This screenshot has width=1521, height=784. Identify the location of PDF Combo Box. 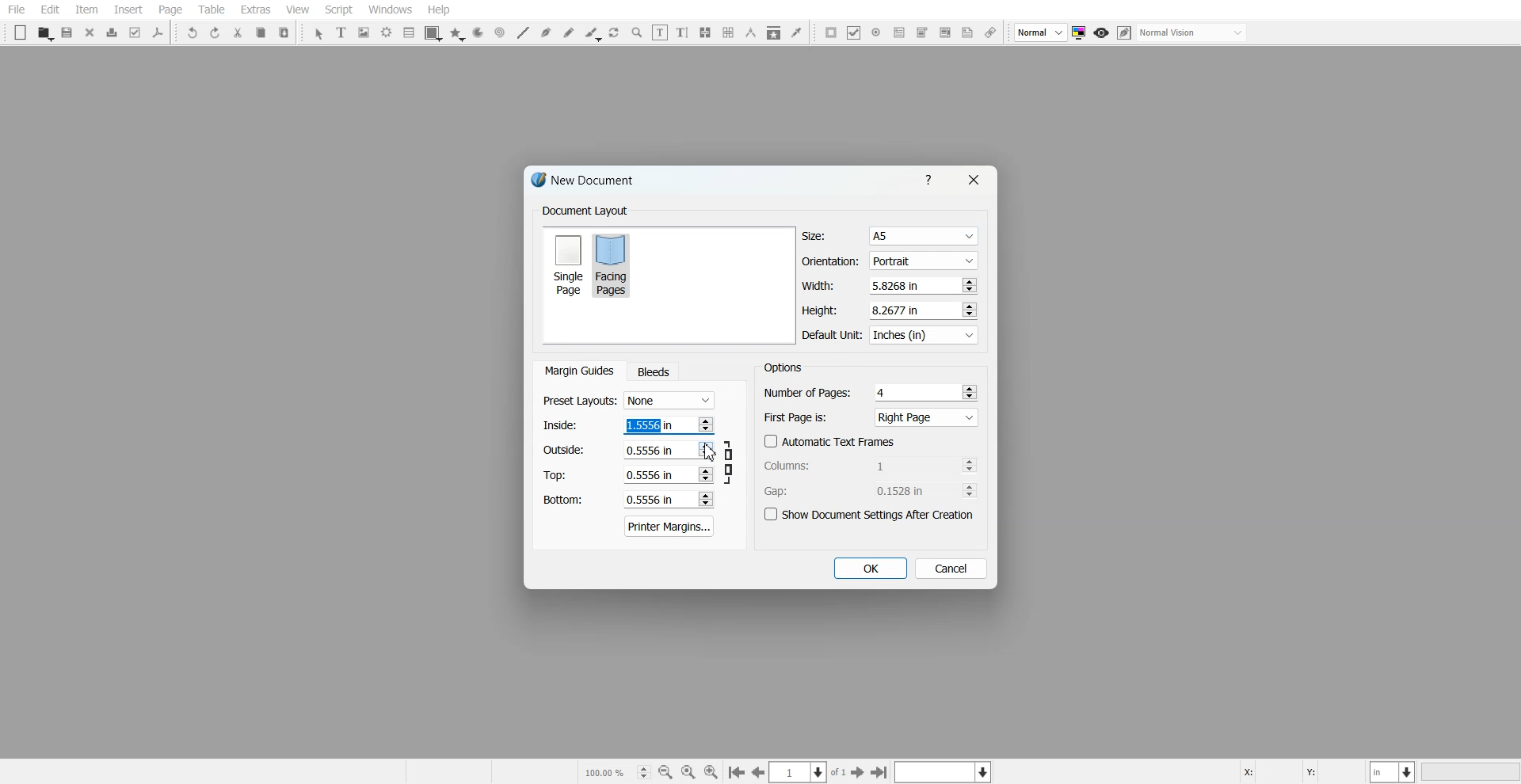
(921, 32).